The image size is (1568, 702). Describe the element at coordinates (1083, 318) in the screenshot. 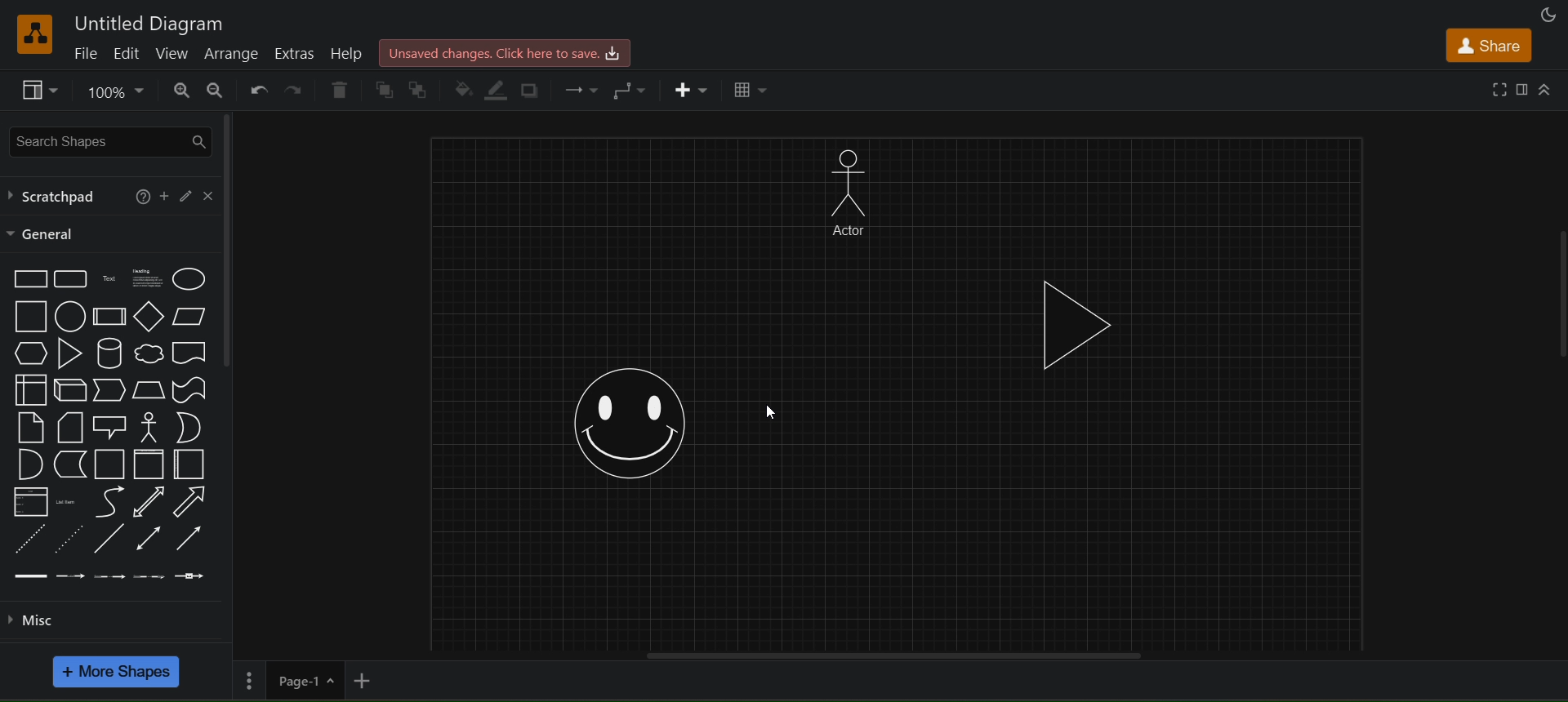

I see `triangle shape` at that location.